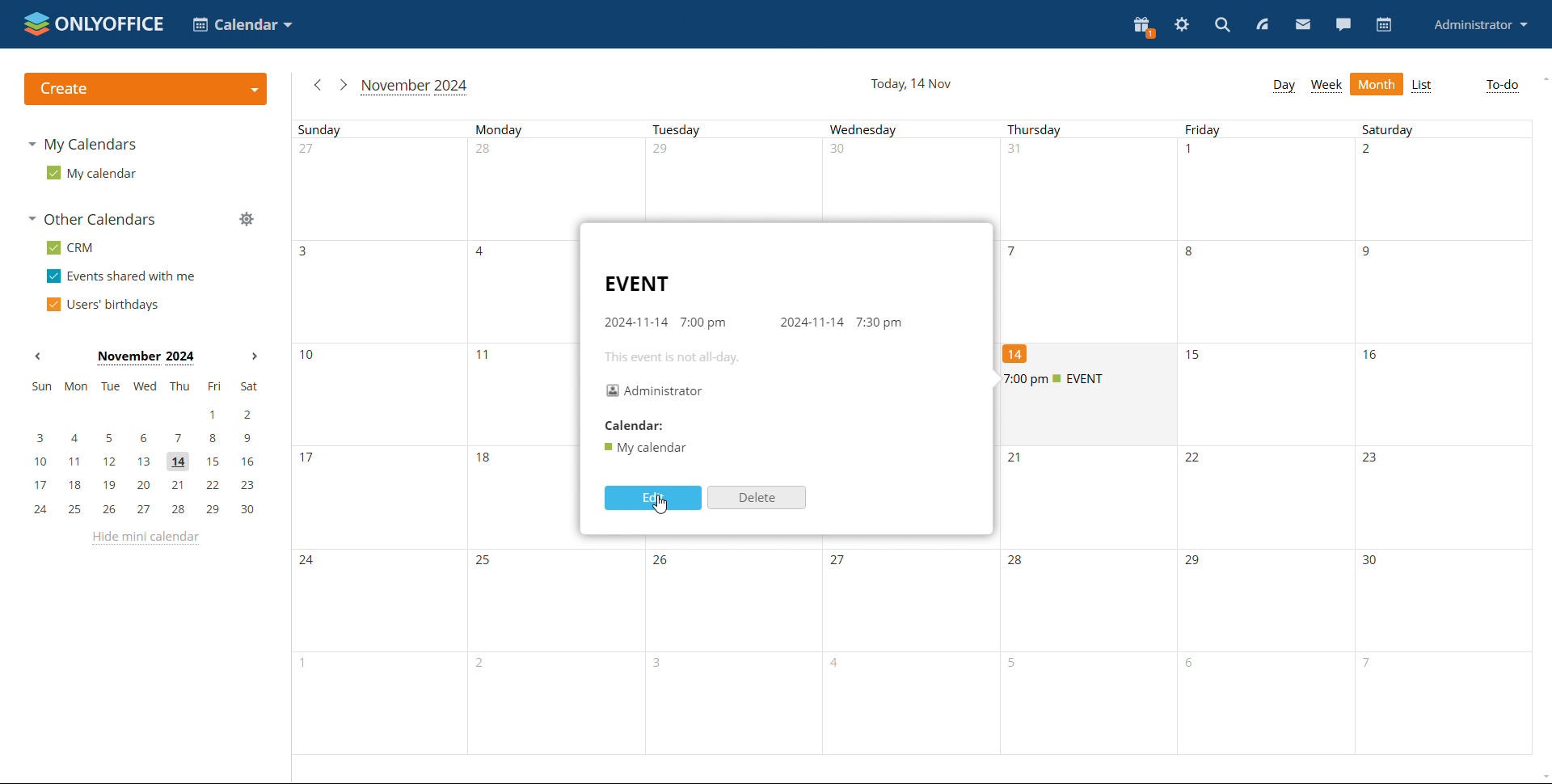 Image resolution: width=1552 pixels, height=784 pixels. Describe the element at coordinates (1023, 153) in the screenshot. I see `number` at that location.